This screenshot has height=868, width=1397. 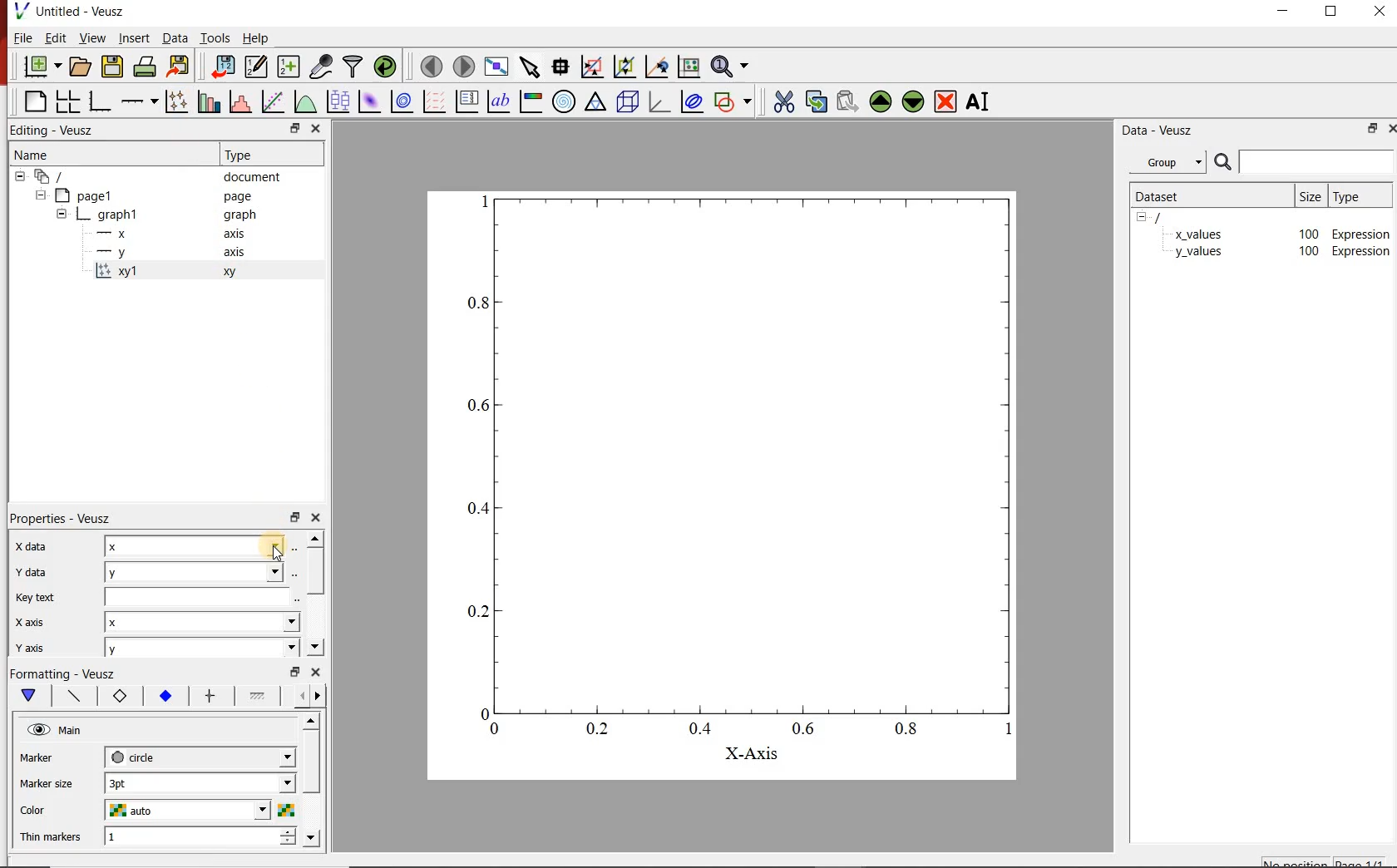 What do you see at coordinates (1311, 196) in the screenshot?
I see `size ` at bounding box center [1311, 196].